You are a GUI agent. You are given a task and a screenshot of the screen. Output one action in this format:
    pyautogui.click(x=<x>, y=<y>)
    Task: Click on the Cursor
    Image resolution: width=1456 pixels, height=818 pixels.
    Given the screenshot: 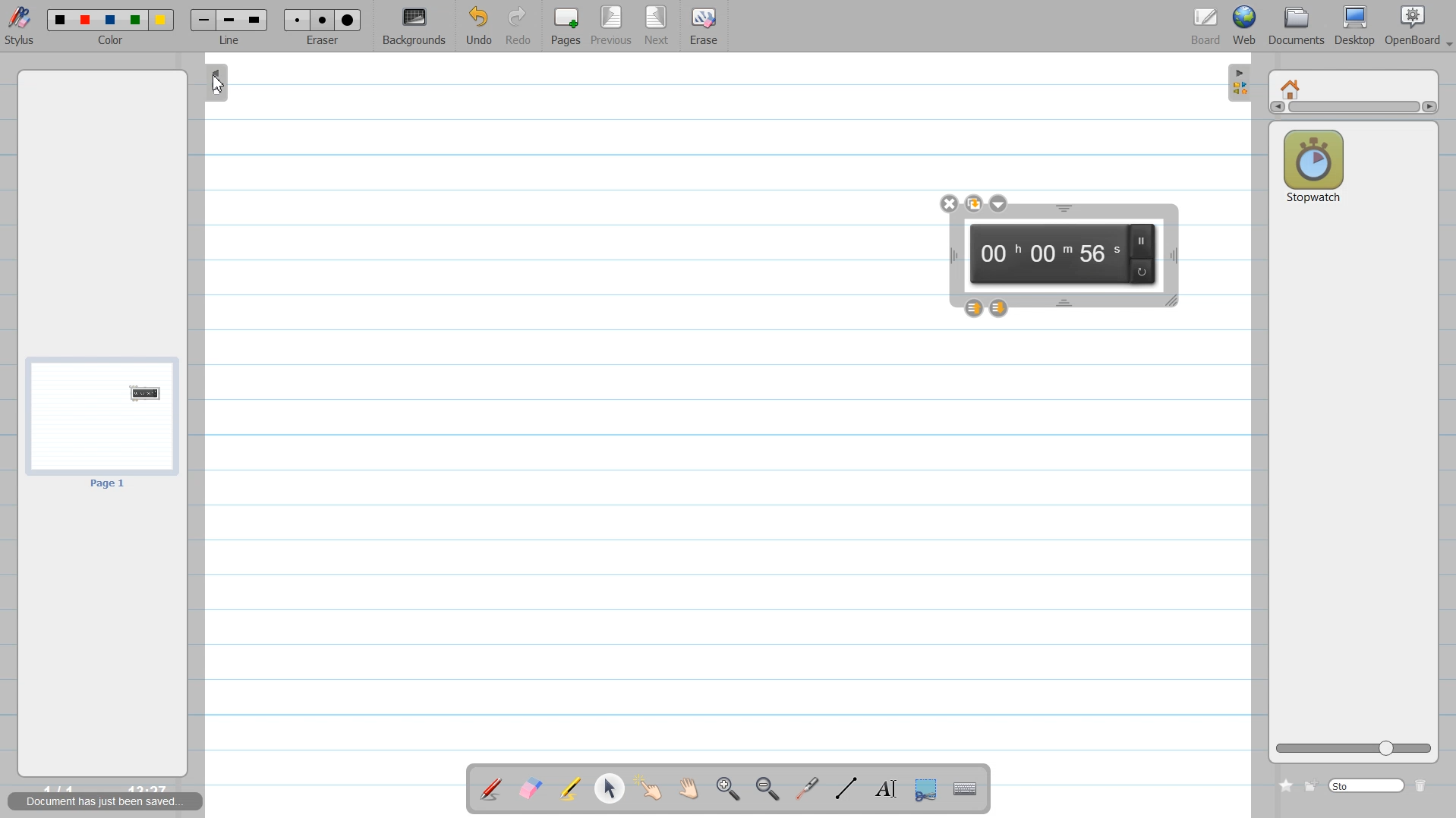 What is the action you would take?
    pyautogui.click(x=219, y=86)
    